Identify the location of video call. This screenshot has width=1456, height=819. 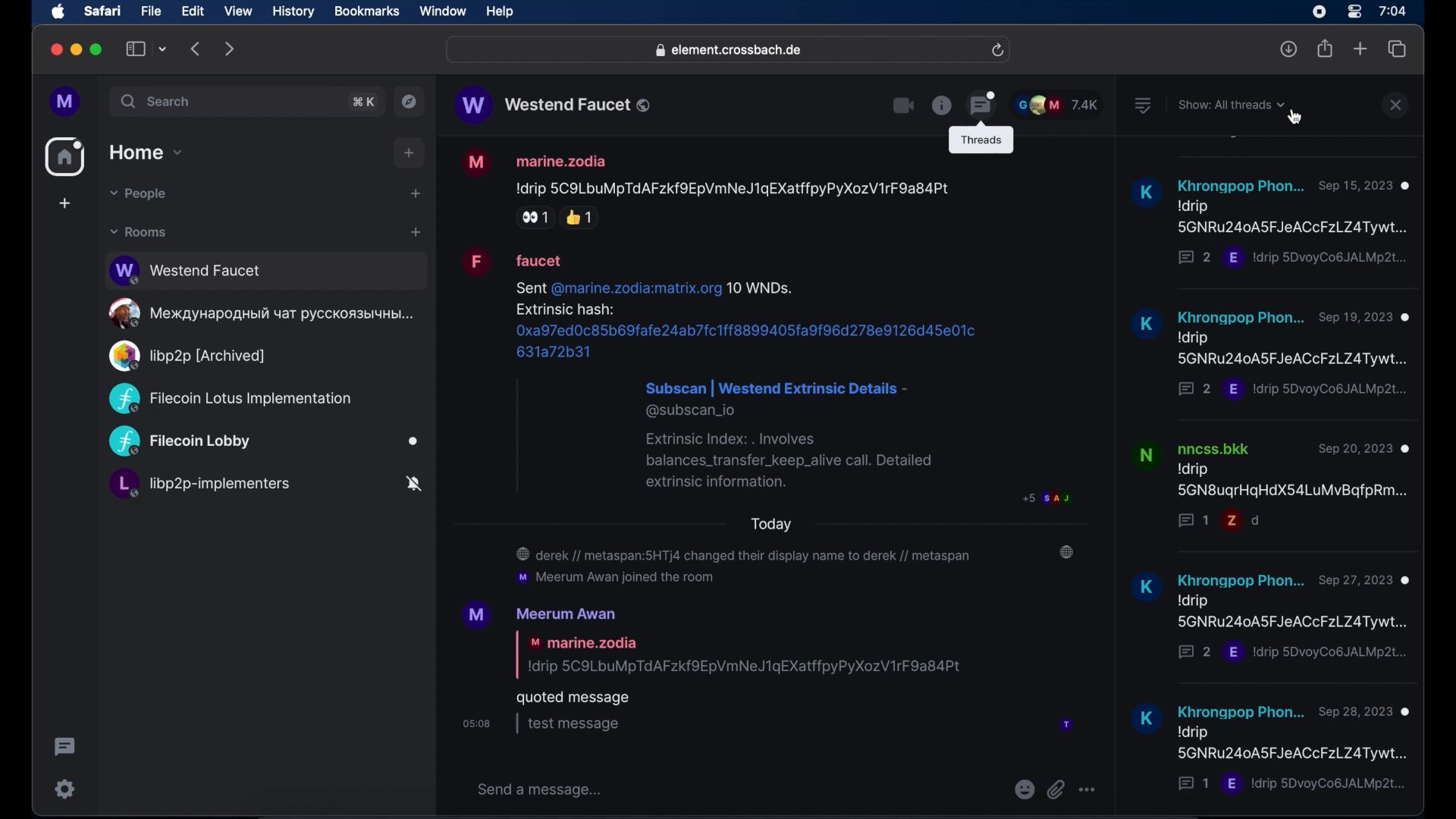
(902, 106).